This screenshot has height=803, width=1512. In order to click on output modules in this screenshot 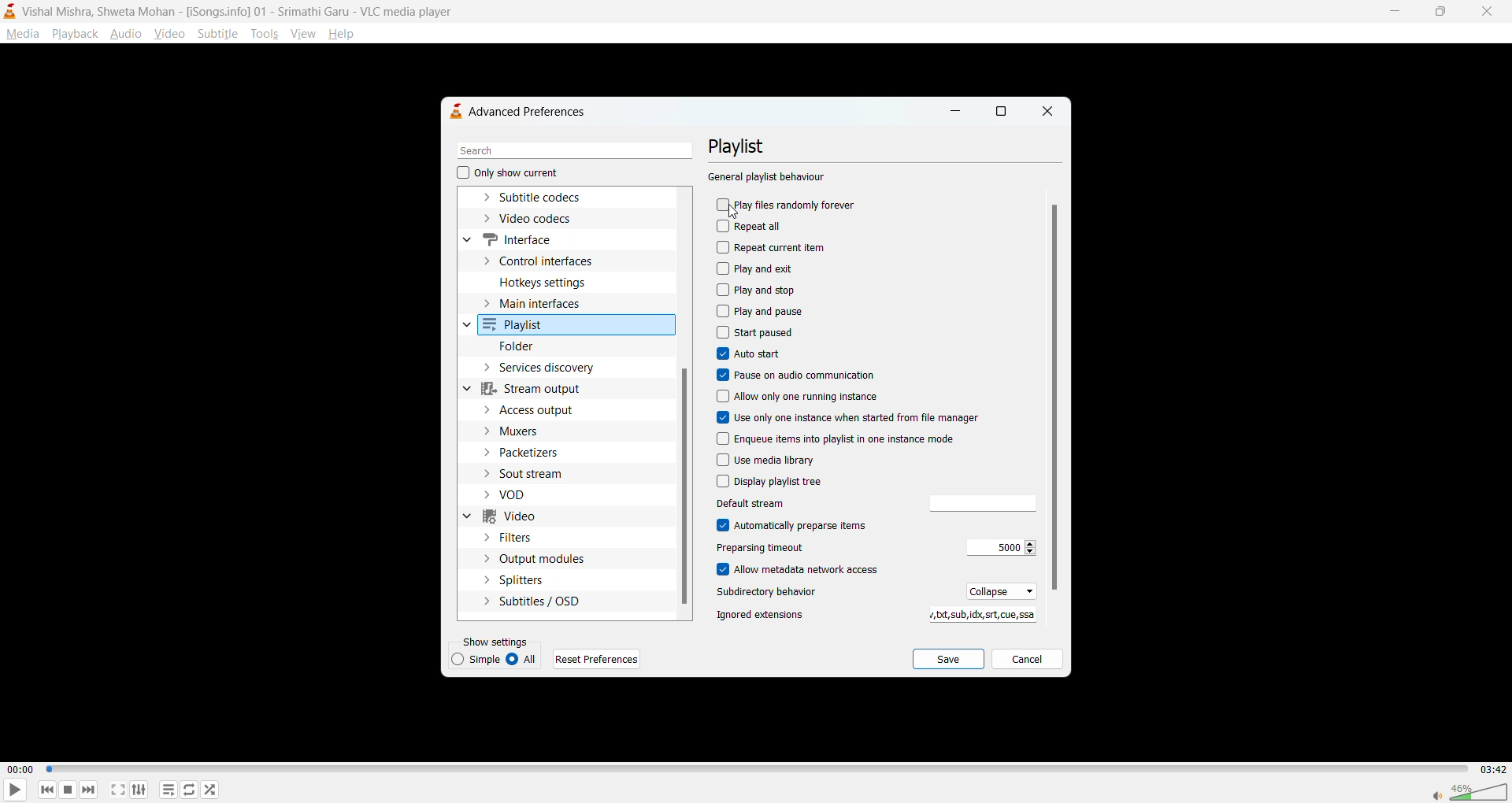, I will do `click(536, 559)`.